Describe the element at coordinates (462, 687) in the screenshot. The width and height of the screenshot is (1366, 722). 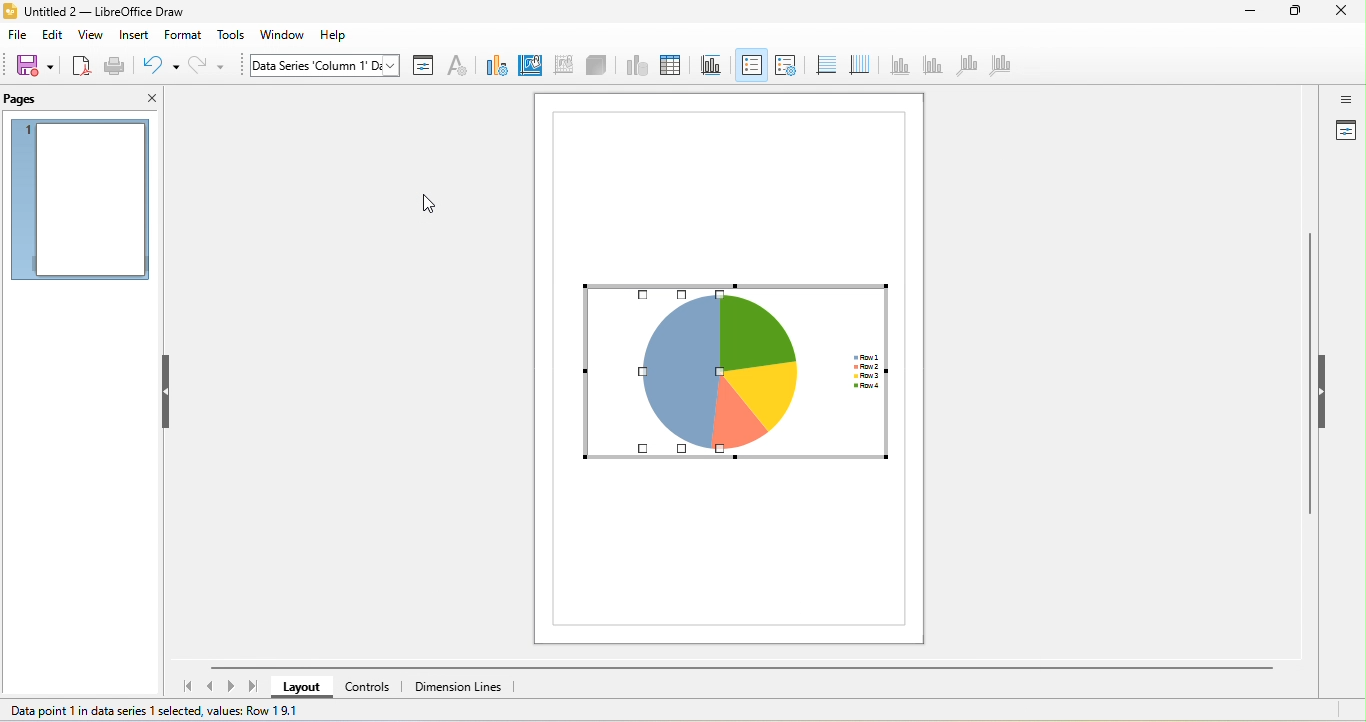
I see `dimension lines` at that location.